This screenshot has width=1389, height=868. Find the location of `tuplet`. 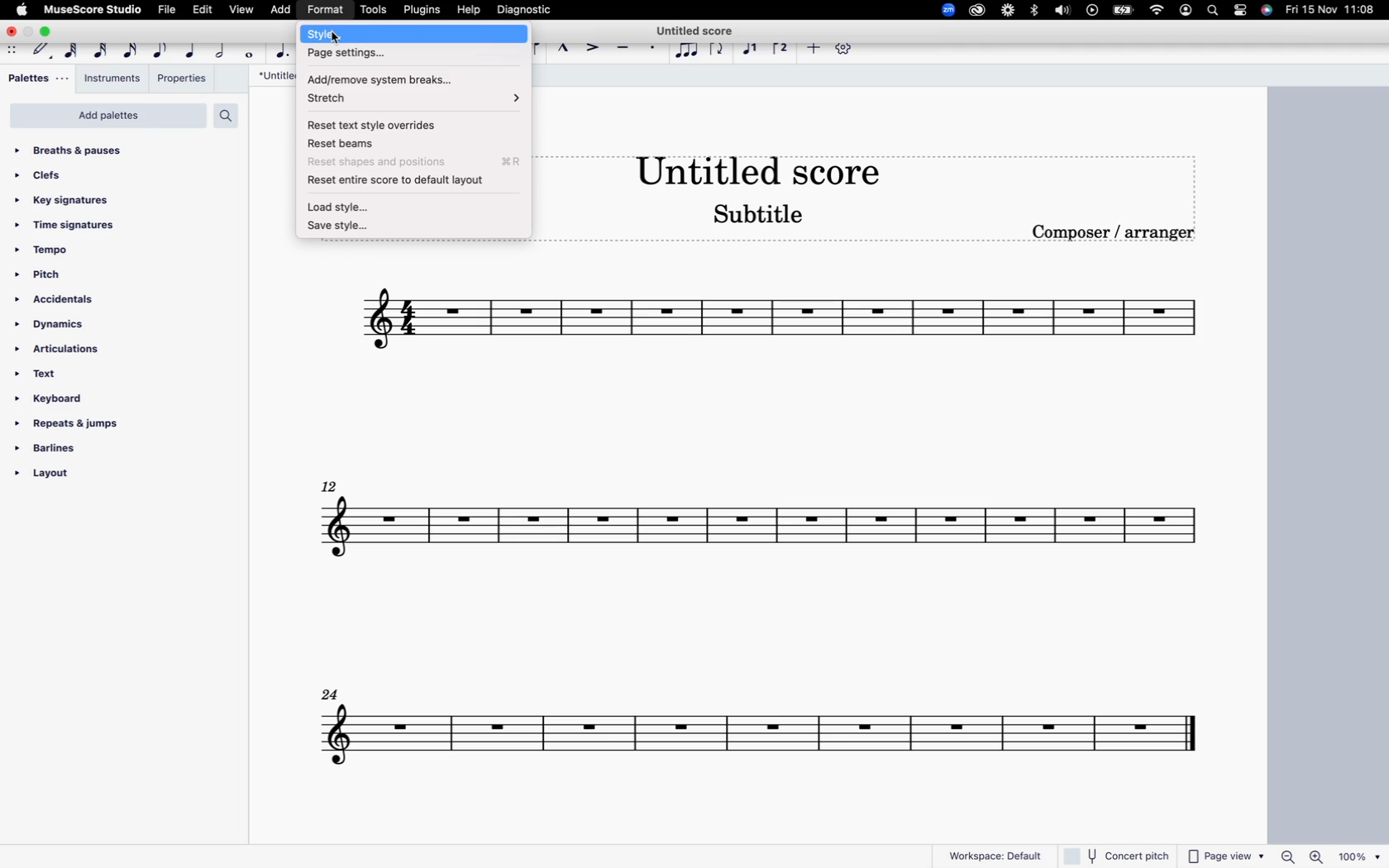

tuplet is located at coordinates (688, 50).